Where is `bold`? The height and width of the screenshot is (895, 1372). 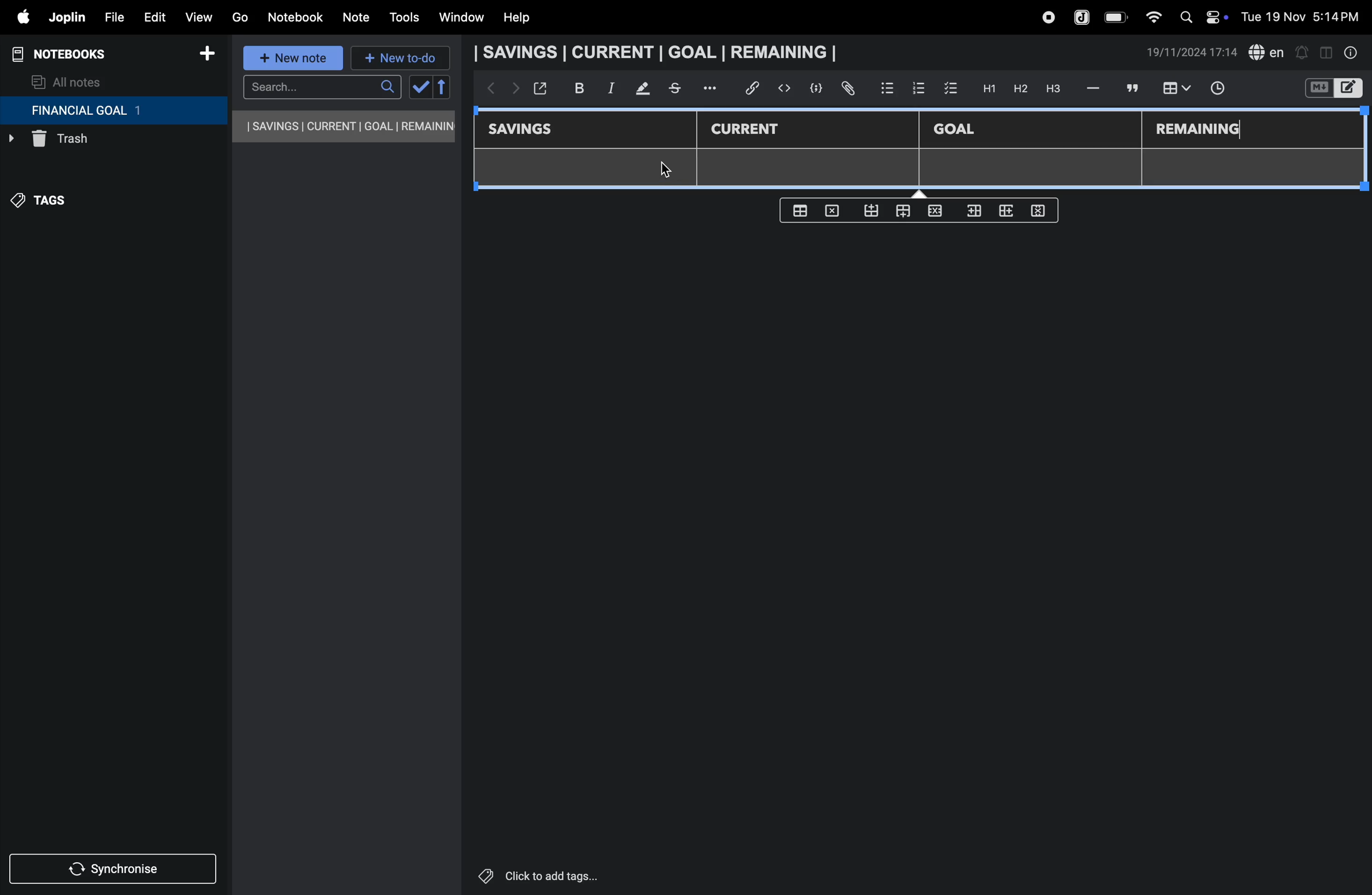 bold is located at coordinates (573, 88).